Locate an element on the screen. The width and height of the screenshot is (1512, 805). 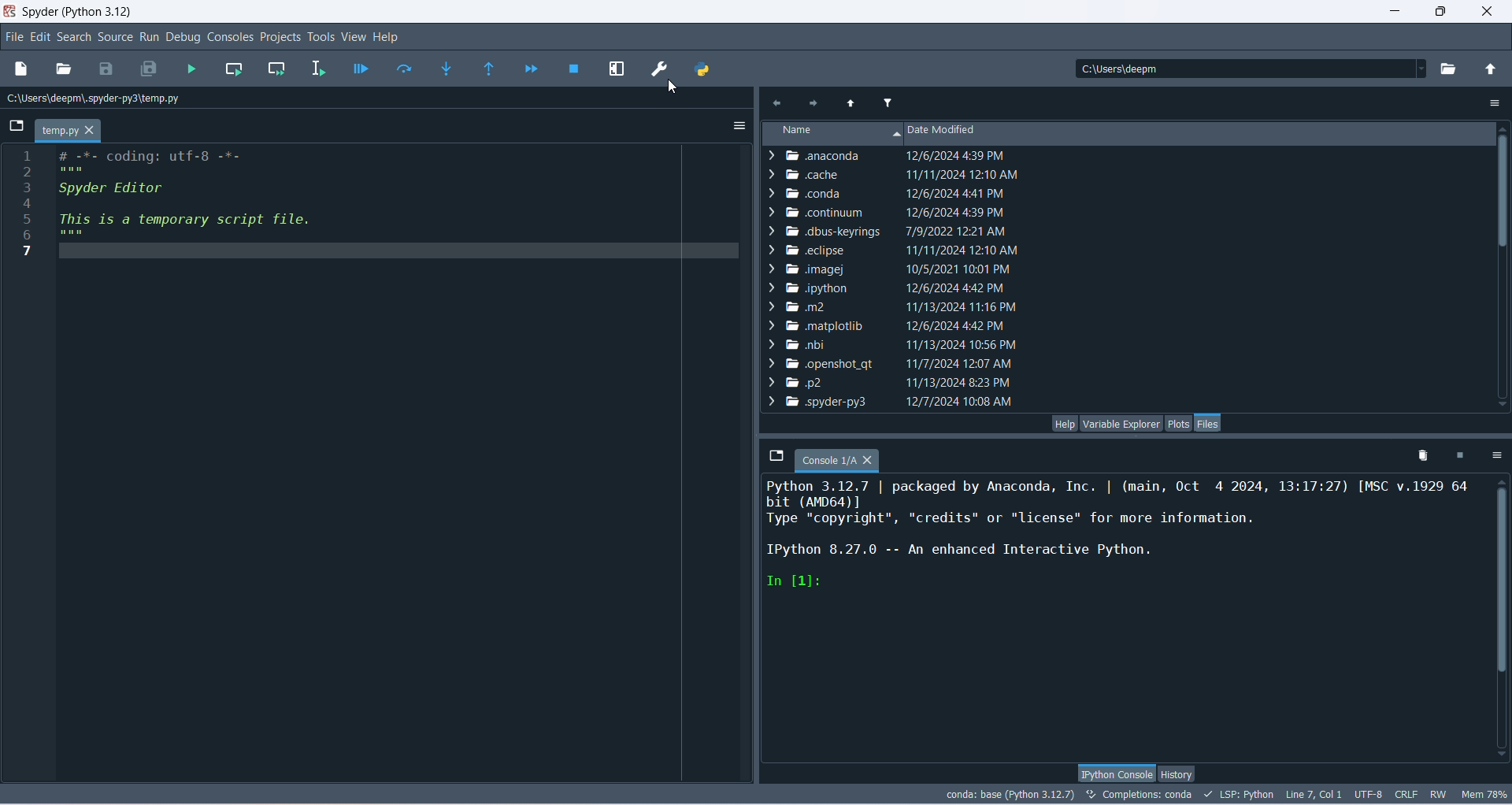
debug is located at coordinates (186, 38).